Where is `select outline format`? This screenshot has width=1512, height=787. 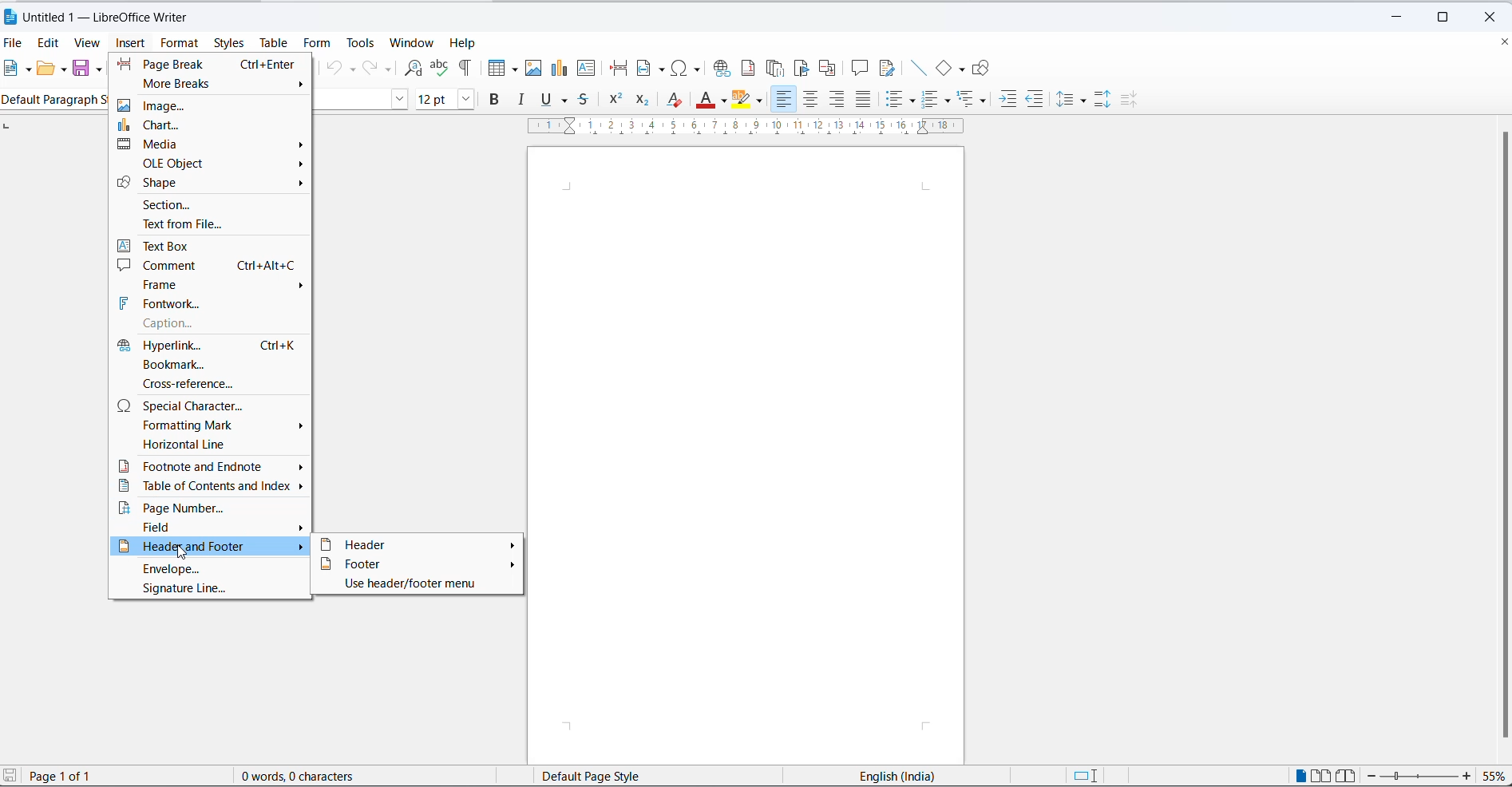
select outline format is located at coordinates (975, 101).